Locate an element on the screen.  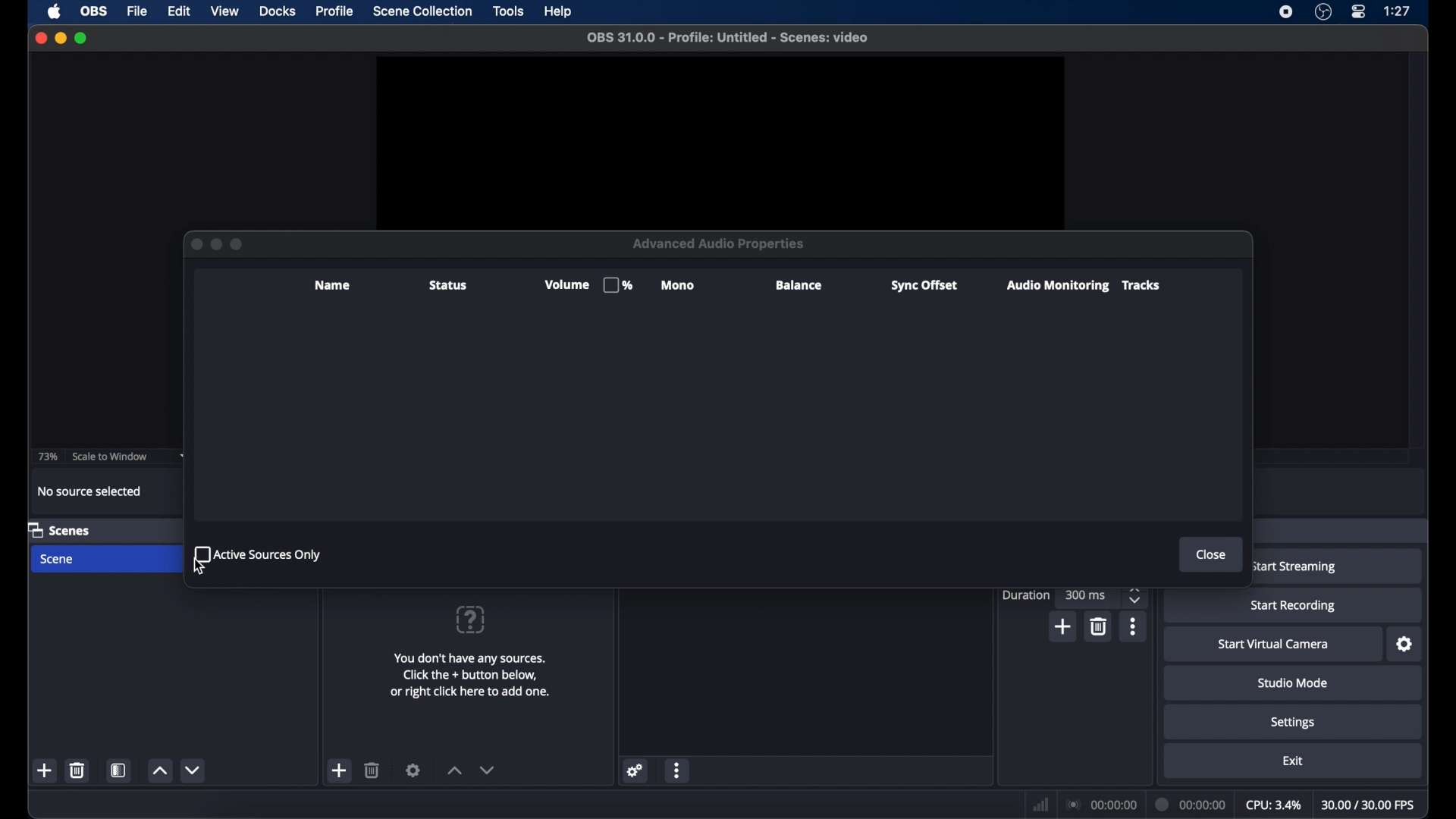
maximize is located at coordinates (83, 38).